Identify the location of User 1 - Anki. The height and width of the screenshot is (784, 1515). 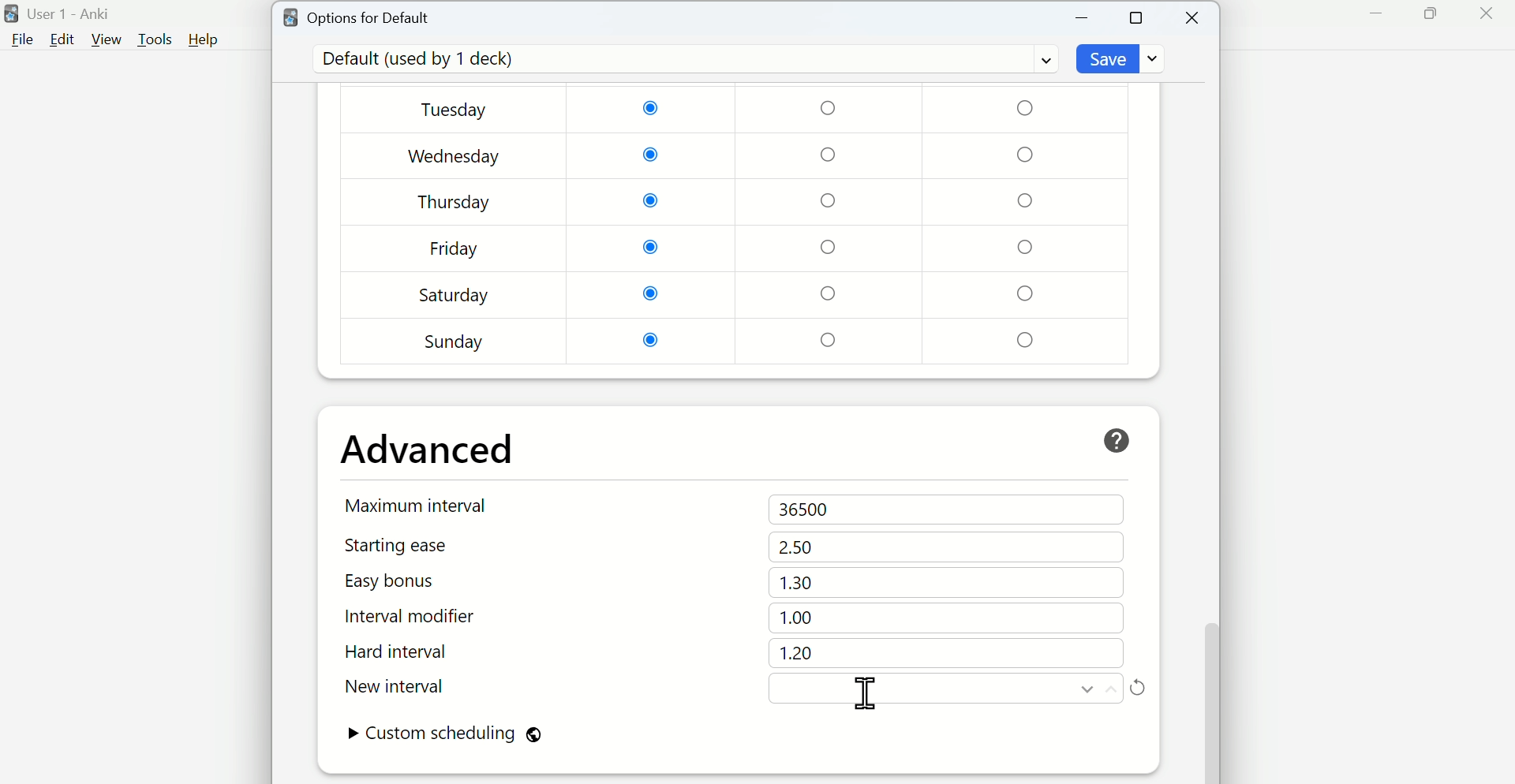
(61, 14).